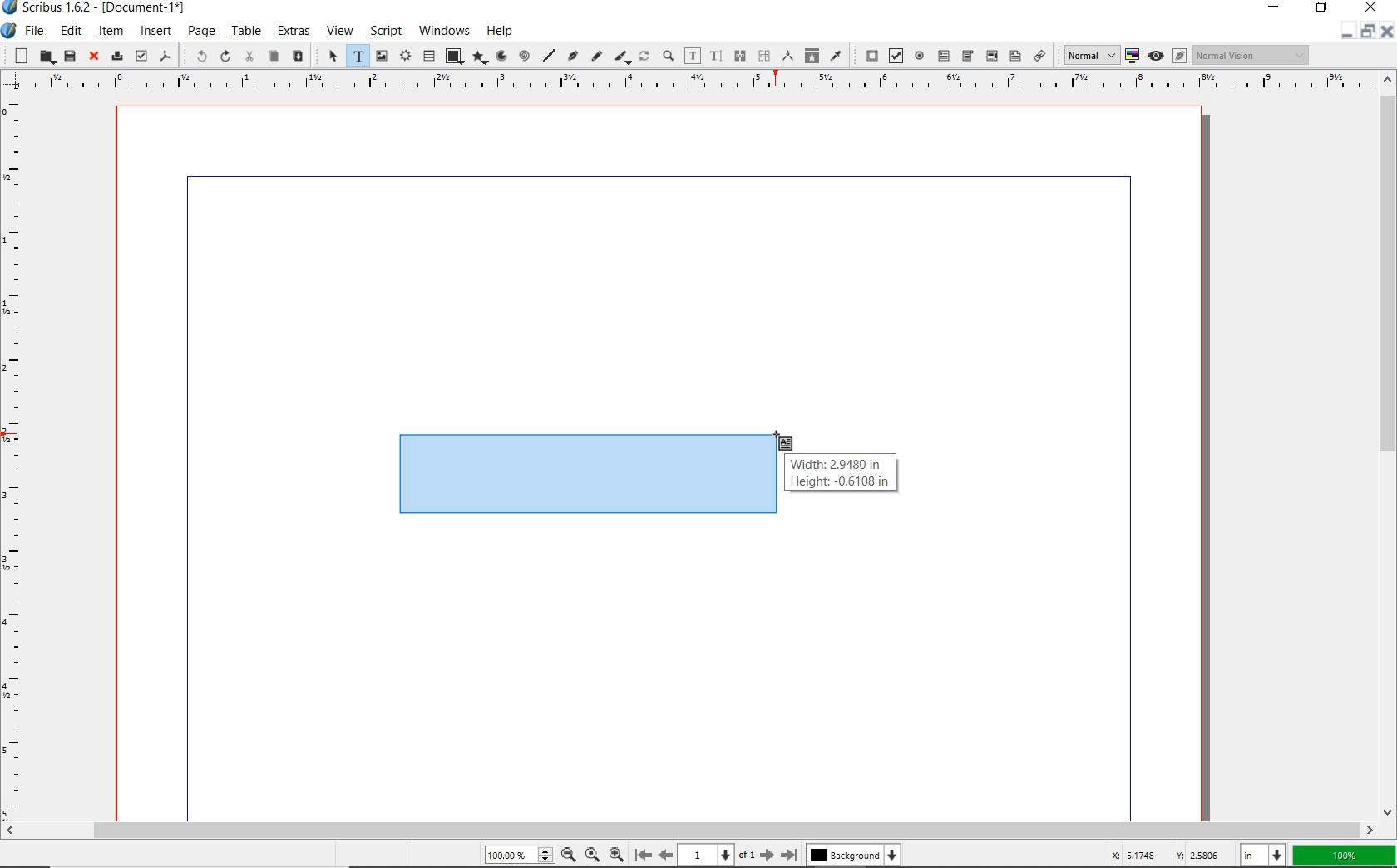 The width and height of the screenshot is (1397, 868). I want to click on line, so click(548, 55).